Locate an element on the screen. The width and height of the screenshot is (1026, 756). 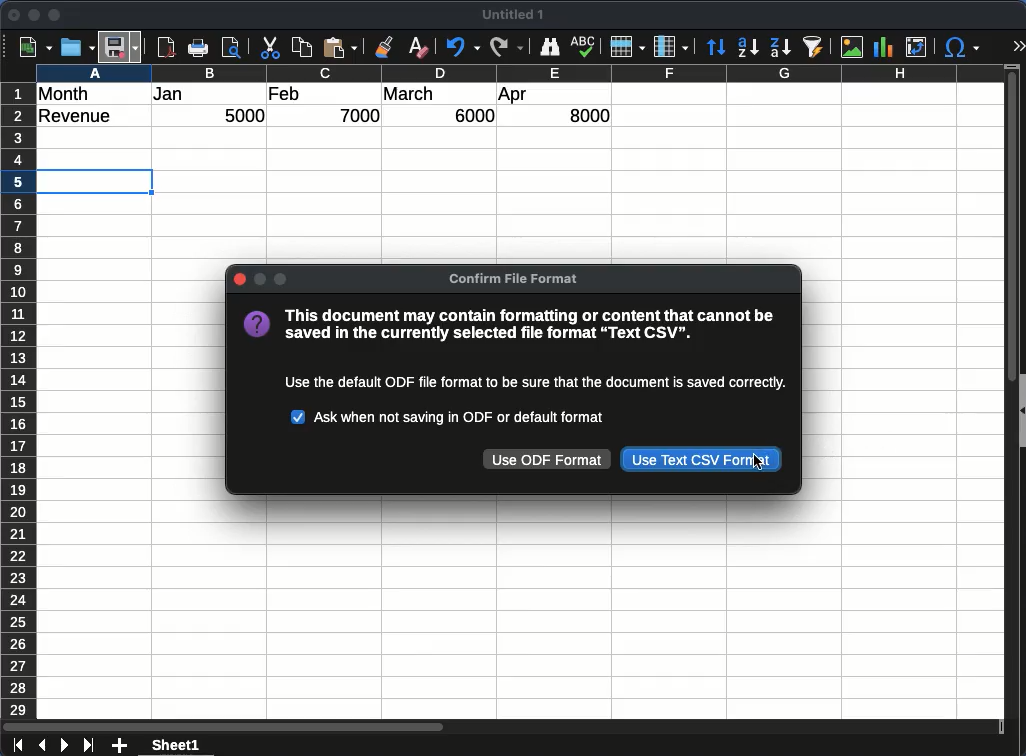
spell check is located at coordinates (584, 48).